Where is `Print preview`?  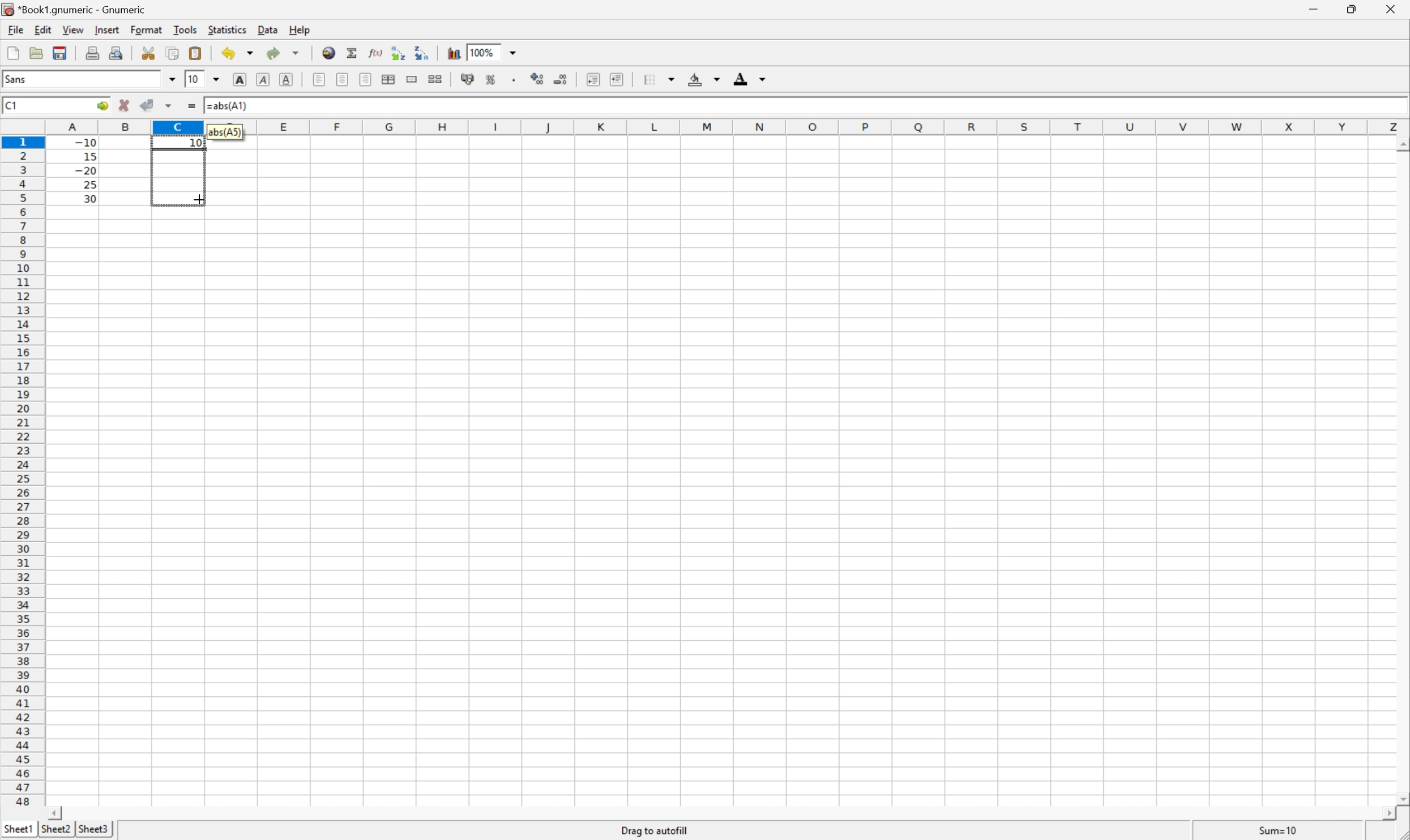
Print preview is located at coordinates (118, 52).